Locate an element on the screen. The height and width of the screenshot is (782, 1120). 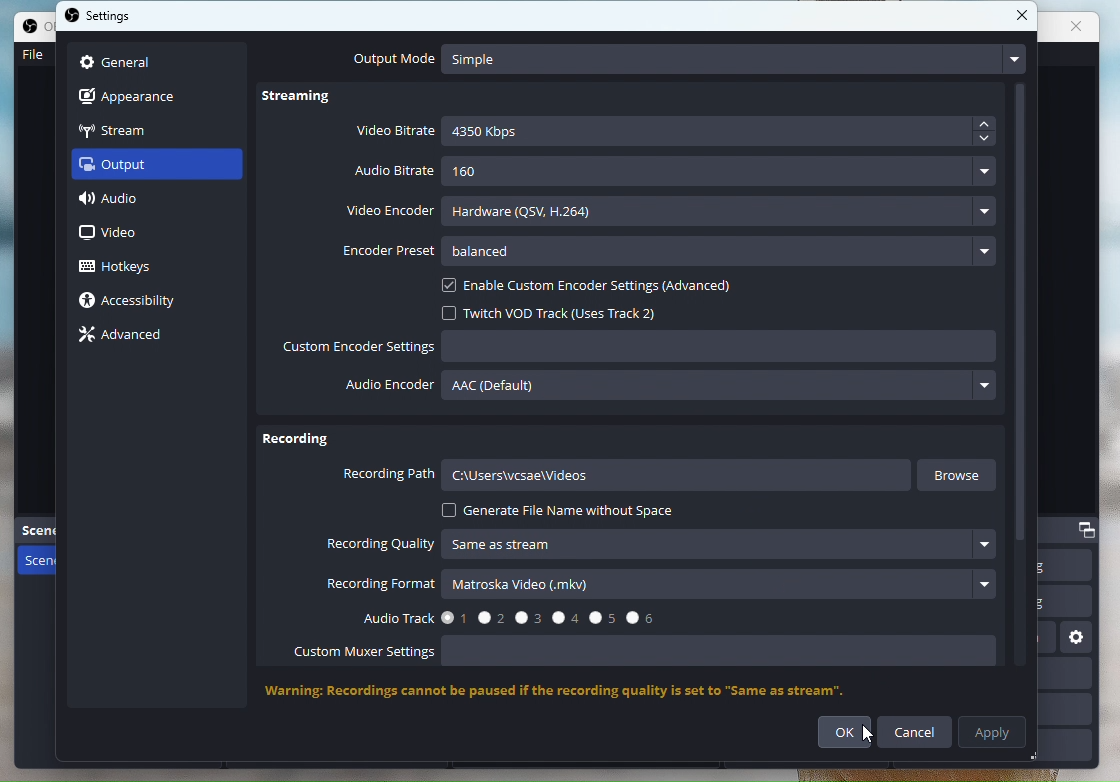
video is located at coordinates (114, 234).